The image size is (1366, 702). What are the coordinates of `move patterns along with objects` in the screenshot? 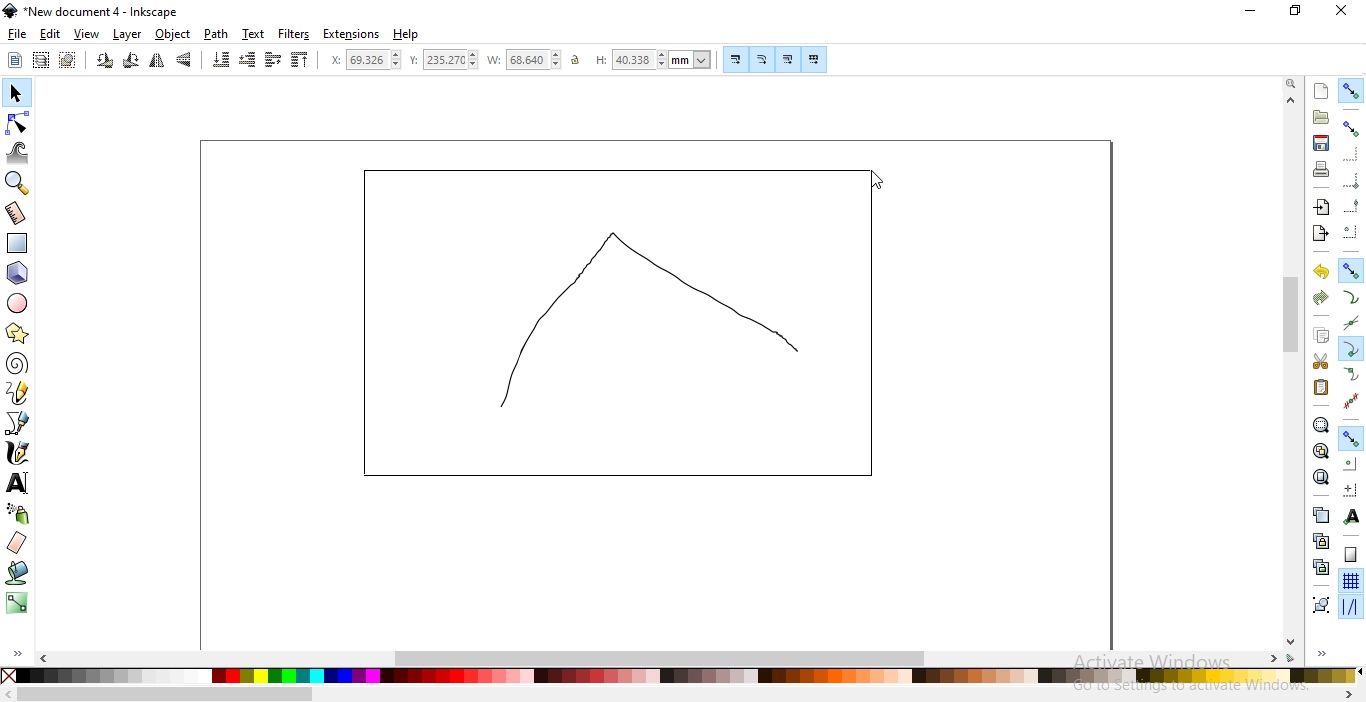 It's located at (815, 59).